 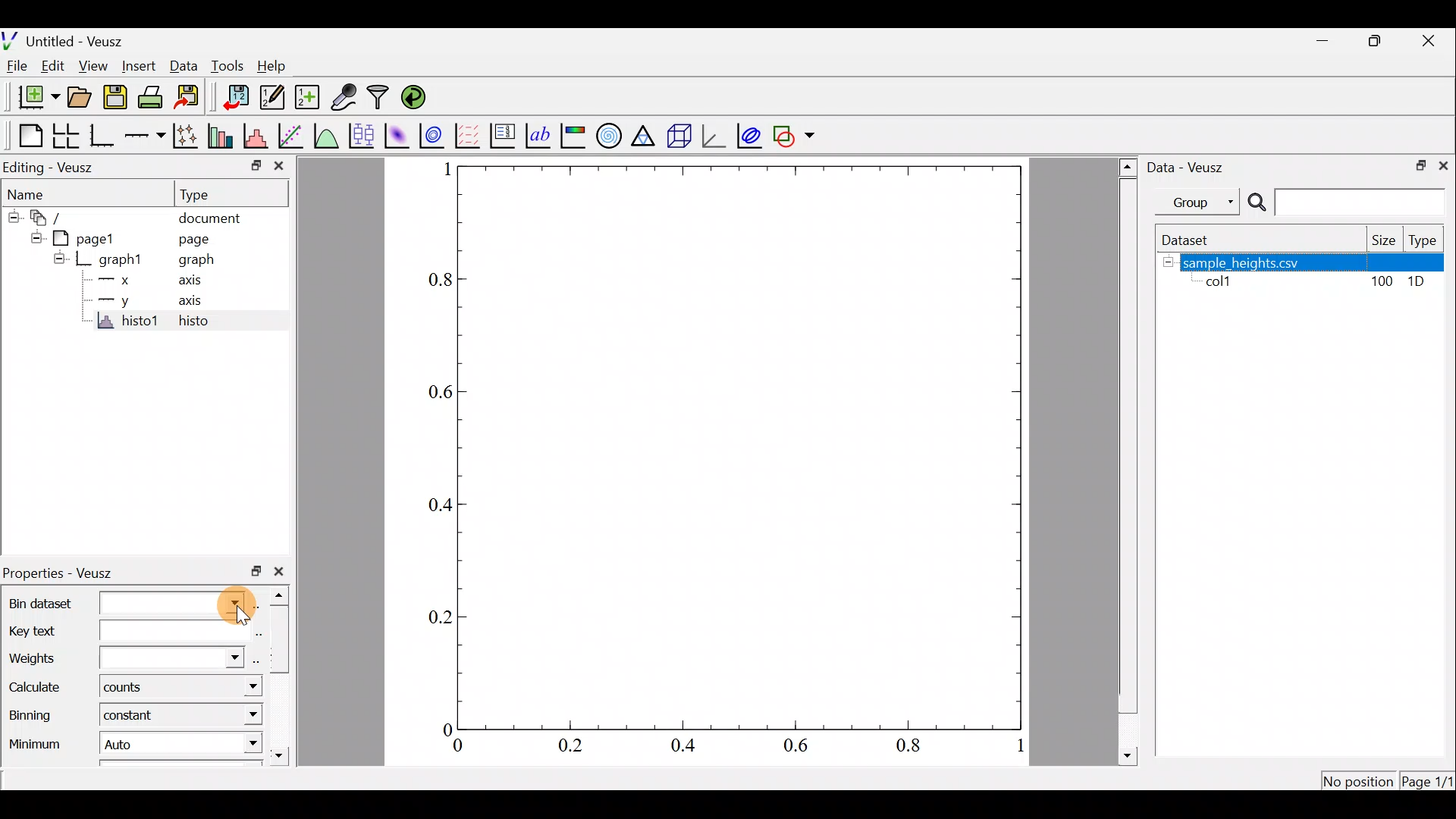 What do you see at coordinates (913, 748) in the screenshot?
I see `0.8` at bounding box center [913, 748].